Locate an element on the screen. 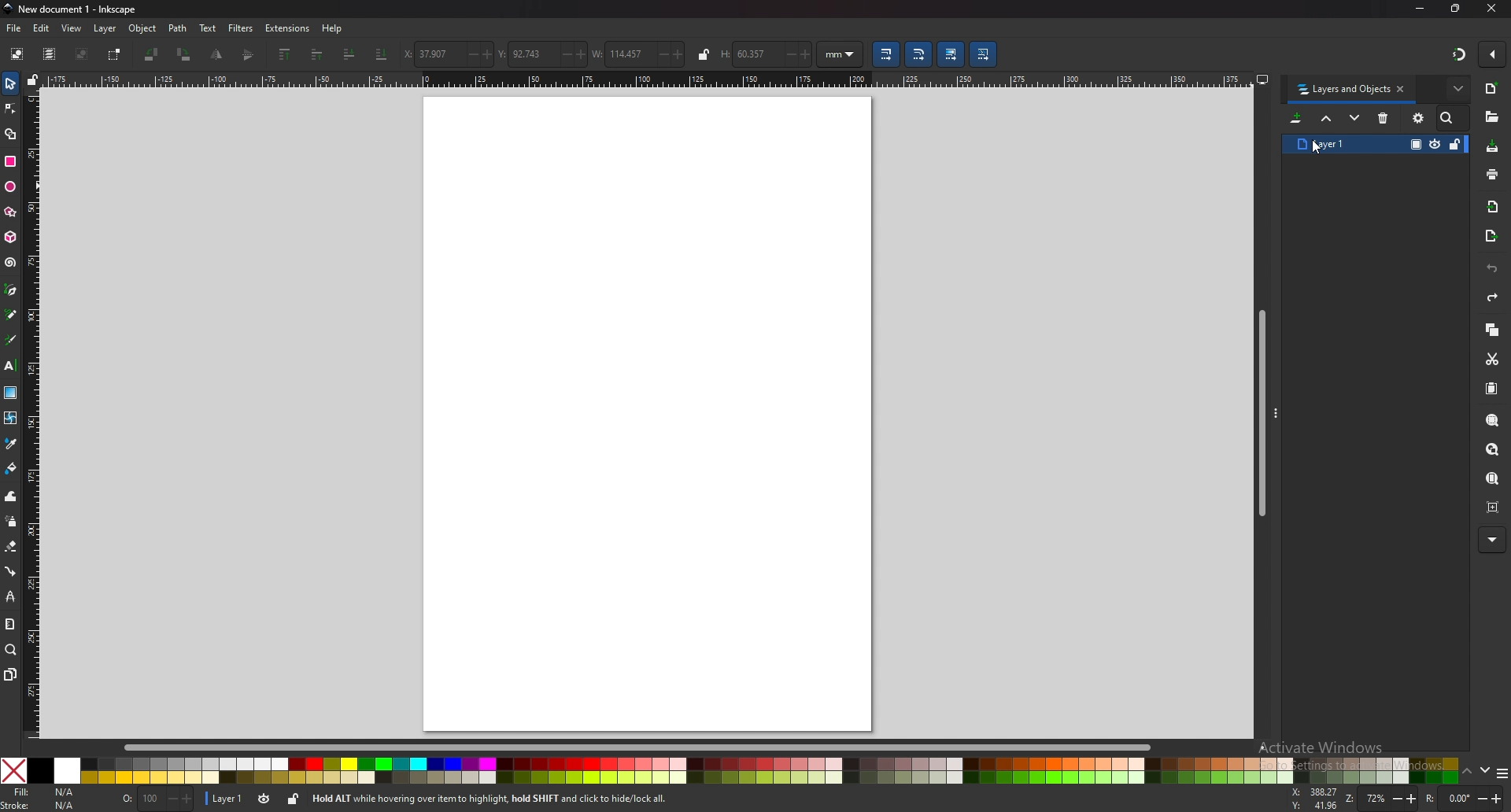 This screenshot has height=812, width=1511. import is located at coordinates (1493, 206).